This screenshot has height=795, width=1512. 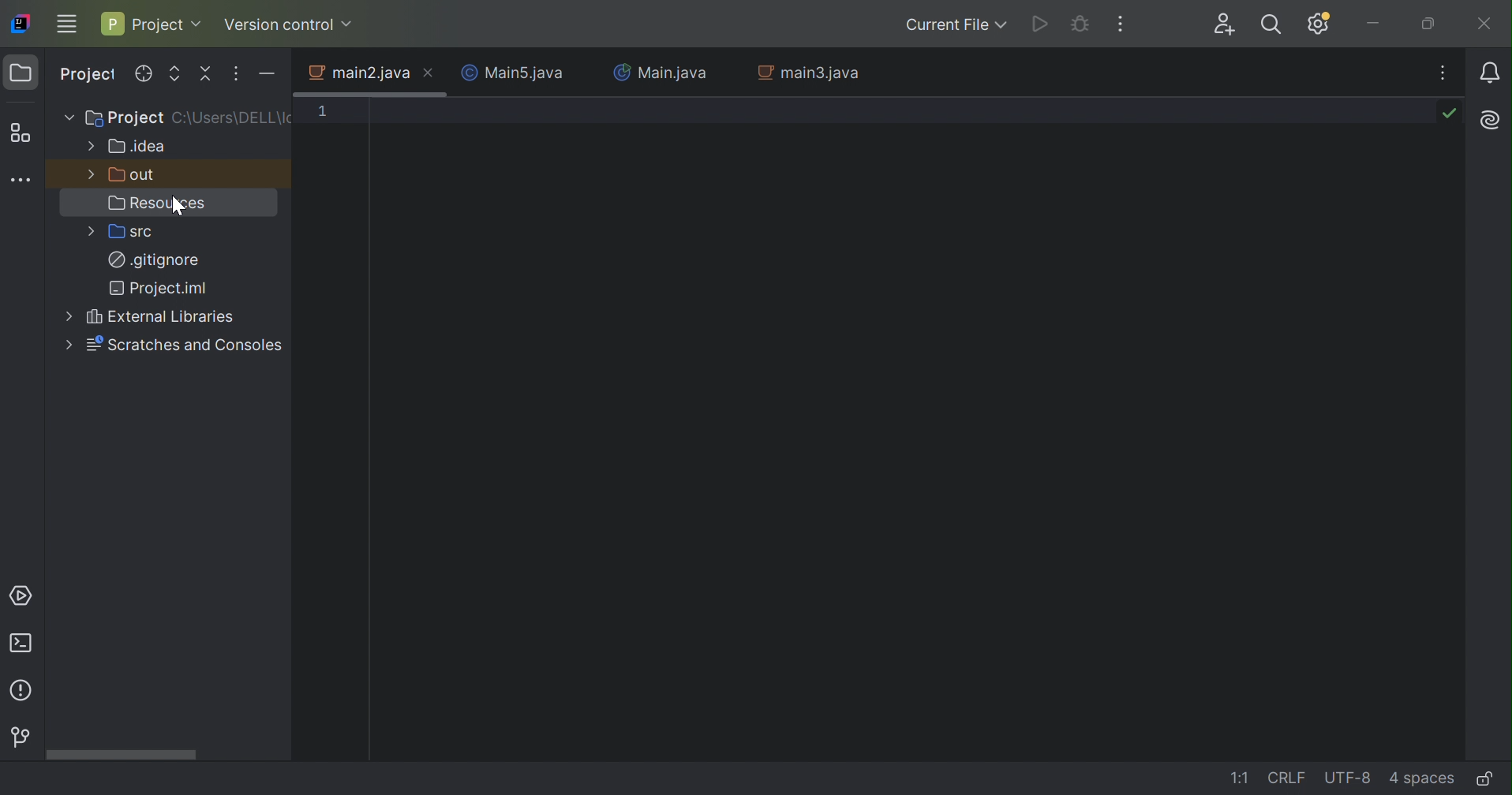 I want to click on Options, so click(x=233, y=74).